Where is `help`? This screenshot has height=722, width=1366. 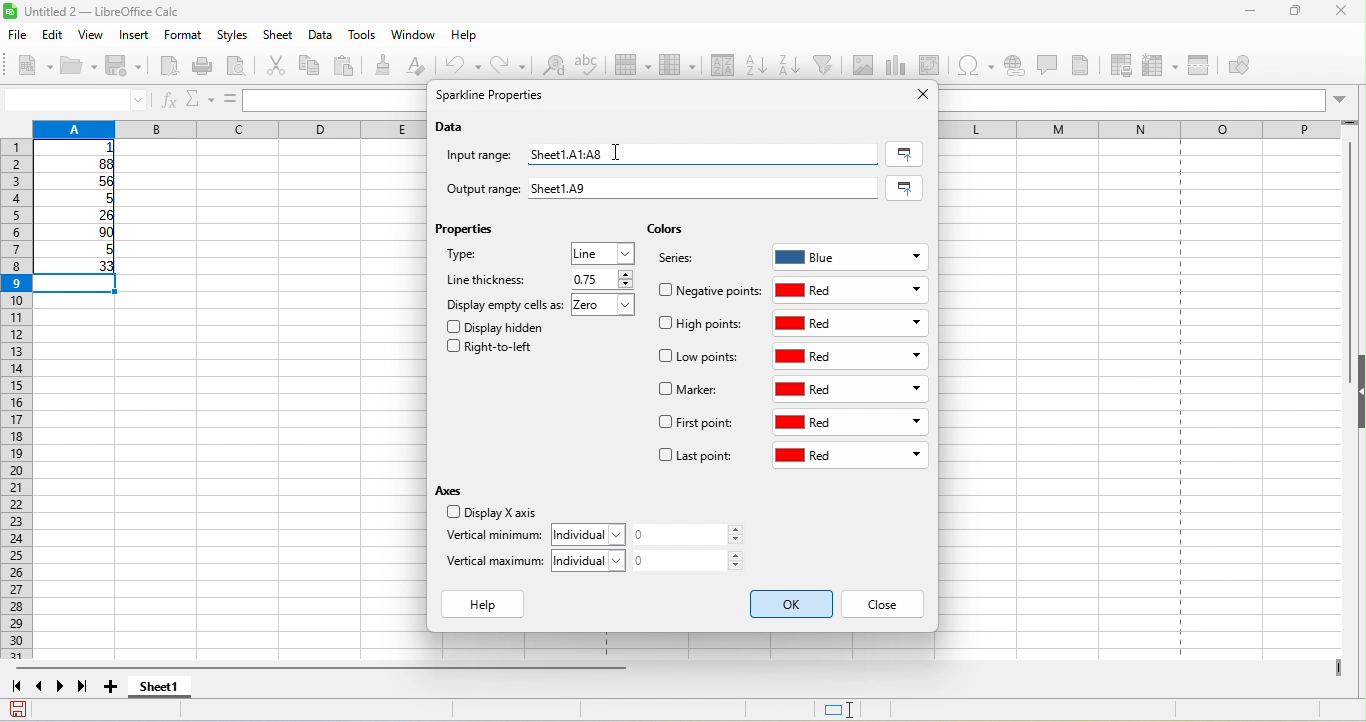
help is located at coordinates (465, 39).